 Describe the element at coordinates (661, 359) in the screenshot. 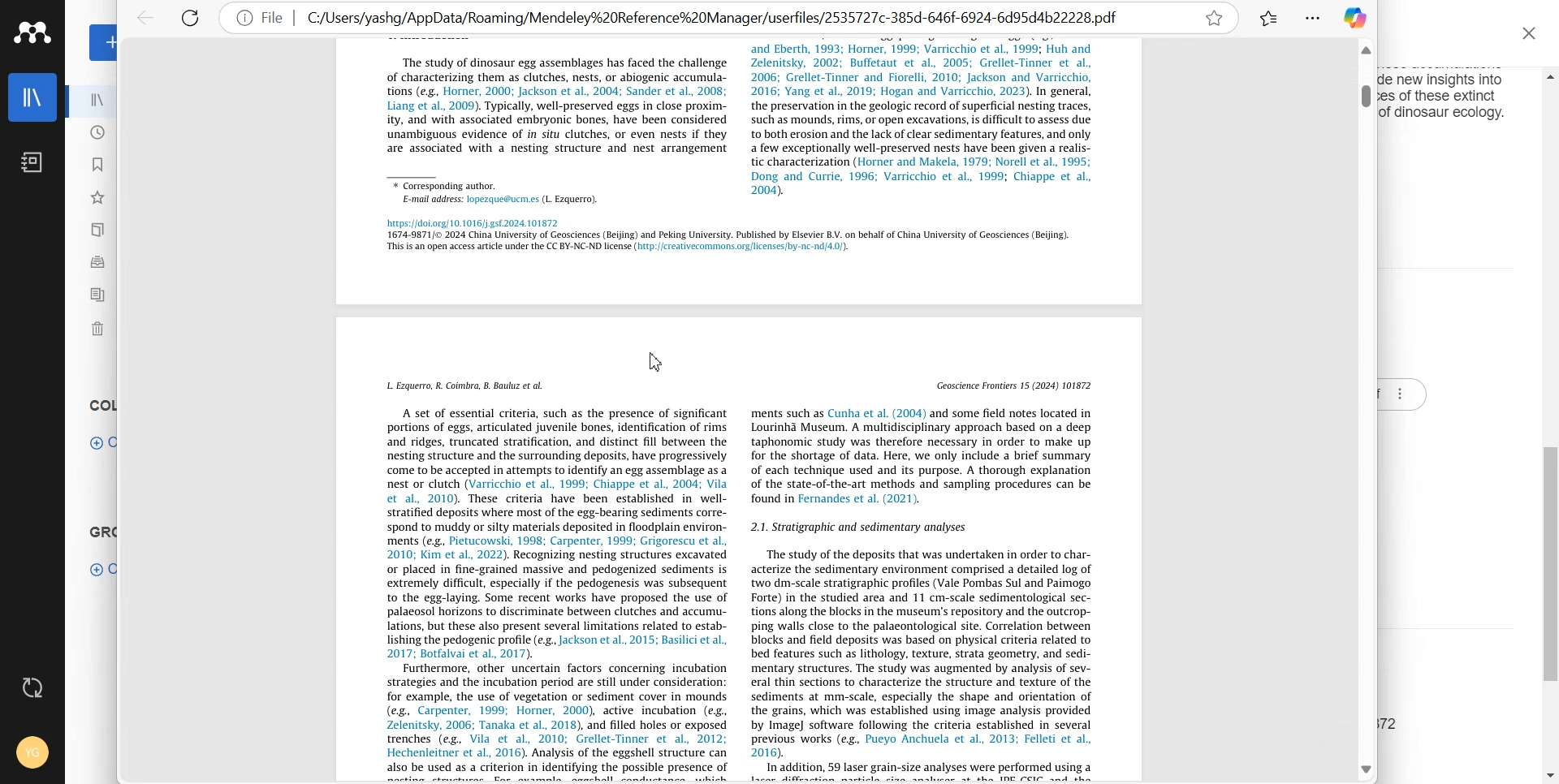

I see `Cursor` at that location.